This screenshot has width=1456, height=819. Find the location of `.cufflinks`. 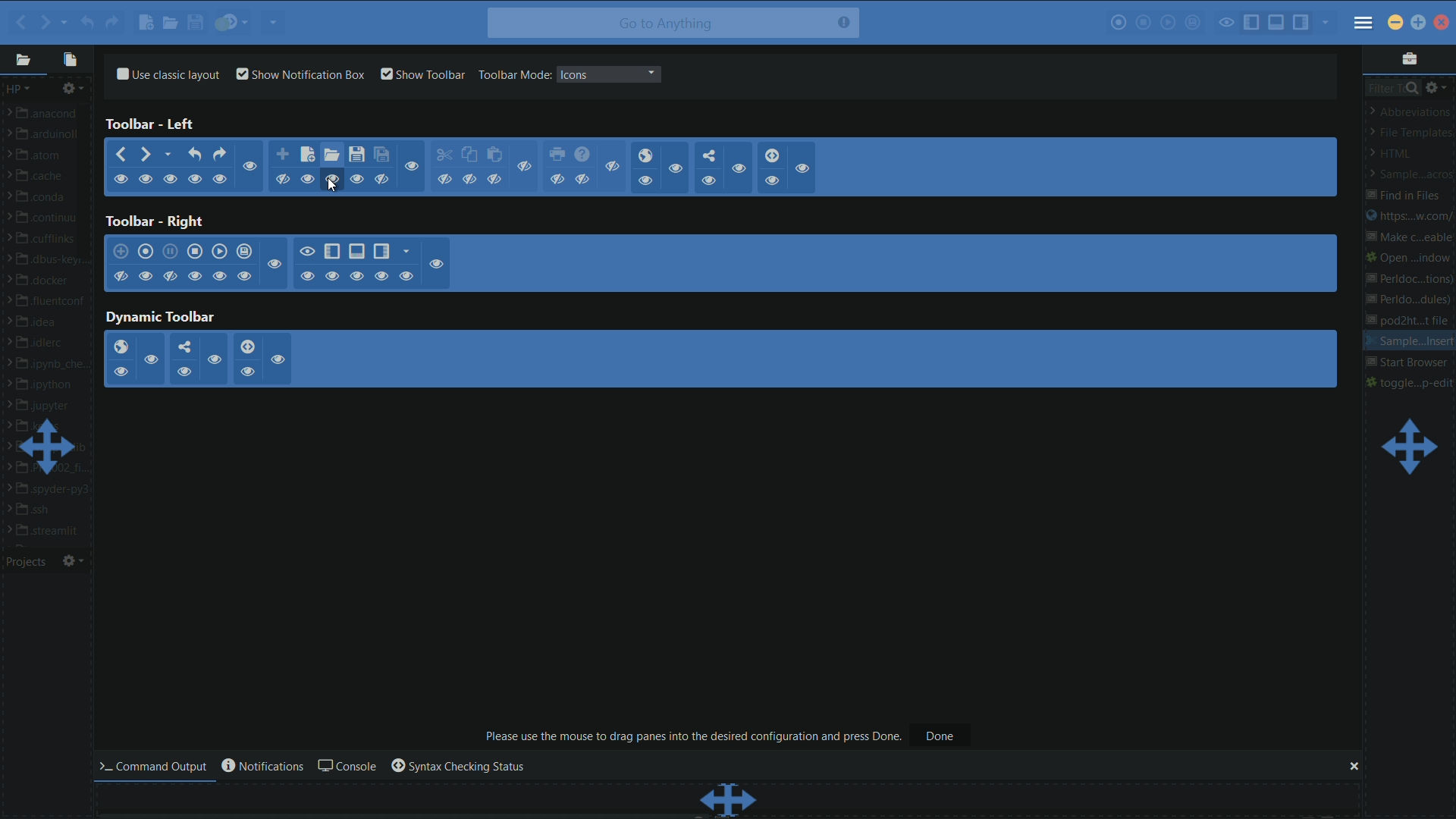

.cufflinks is located at coordinates (50, 240).